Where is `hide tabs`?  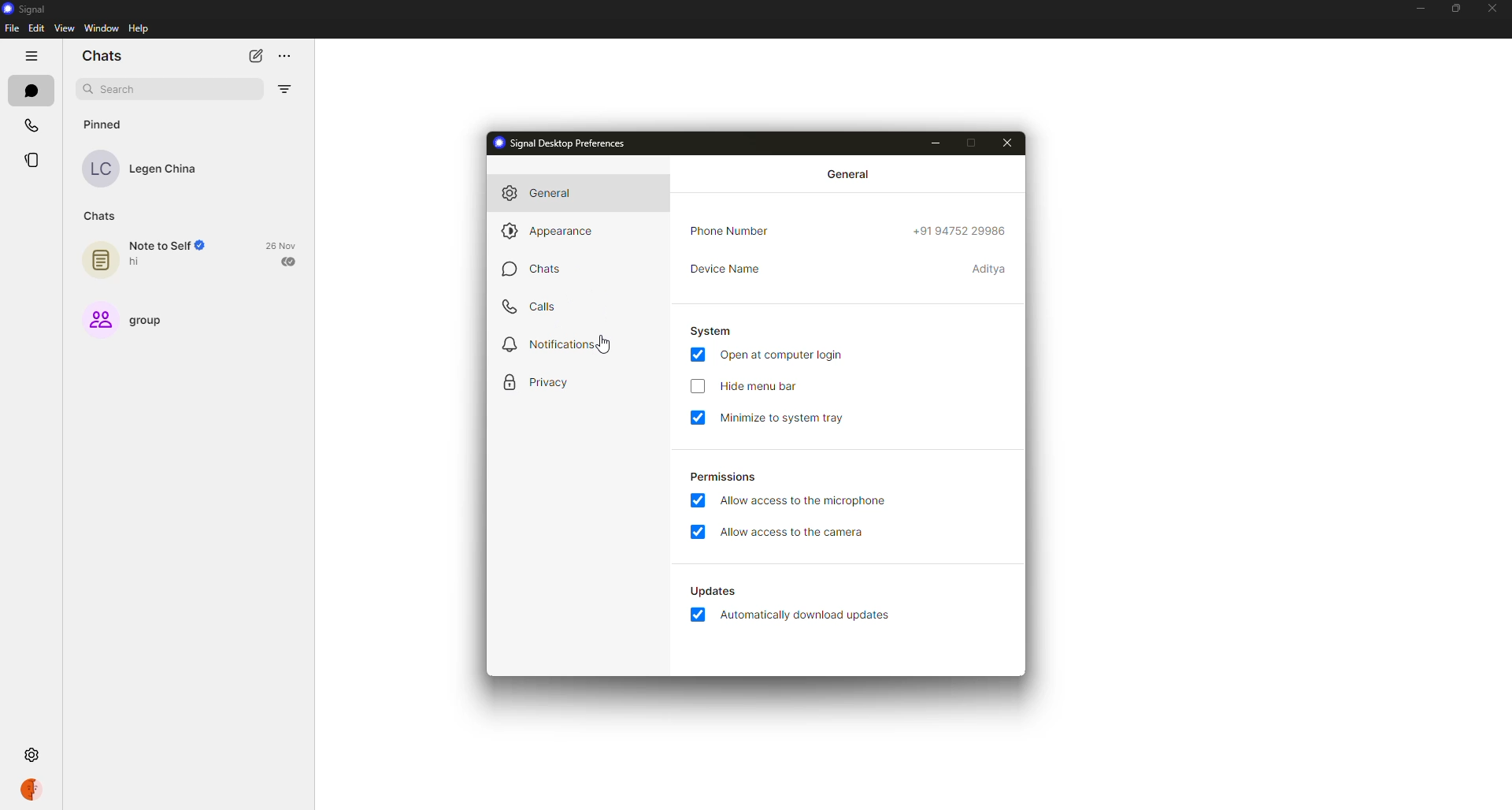
hide tabs is located at coordinates (31, 55).